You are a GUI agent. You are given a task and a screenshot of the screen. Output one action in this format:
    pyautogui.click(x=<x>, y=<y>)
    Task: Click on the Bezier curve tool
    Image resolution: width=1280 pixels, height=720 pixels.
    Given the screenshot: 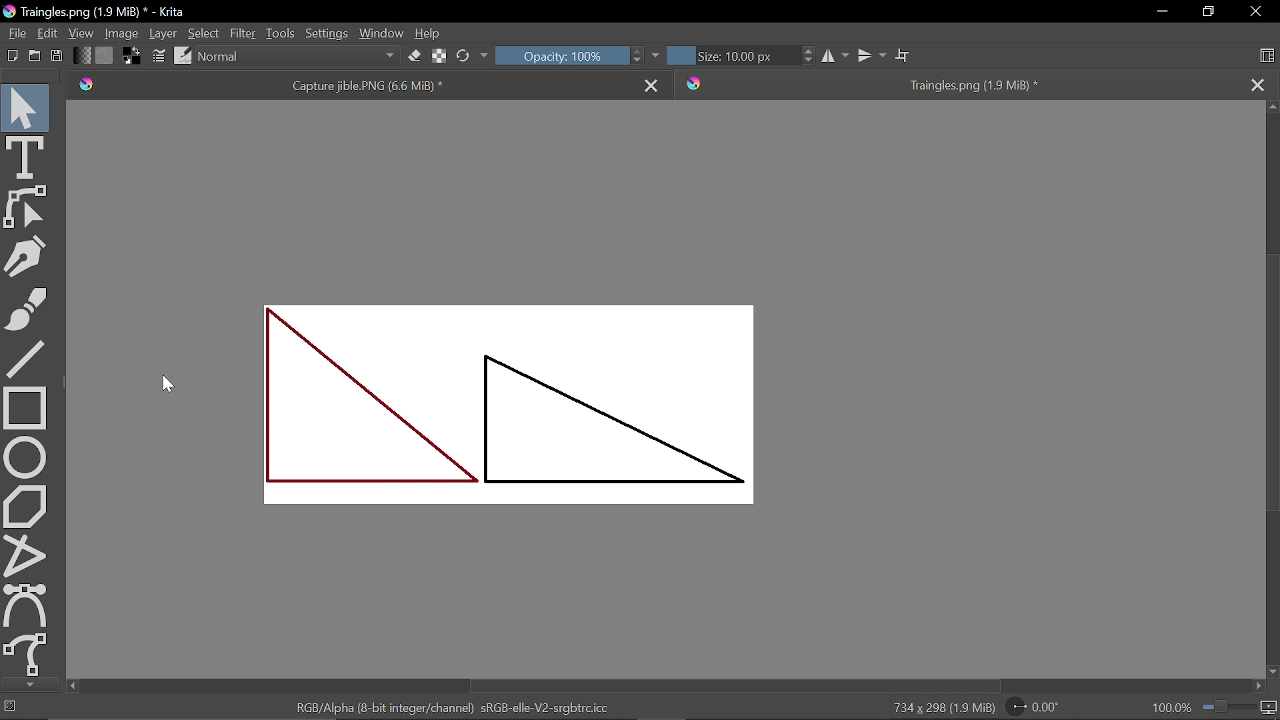 What is the action you would take?
    pyautogui.click(x=26, y=603)
    